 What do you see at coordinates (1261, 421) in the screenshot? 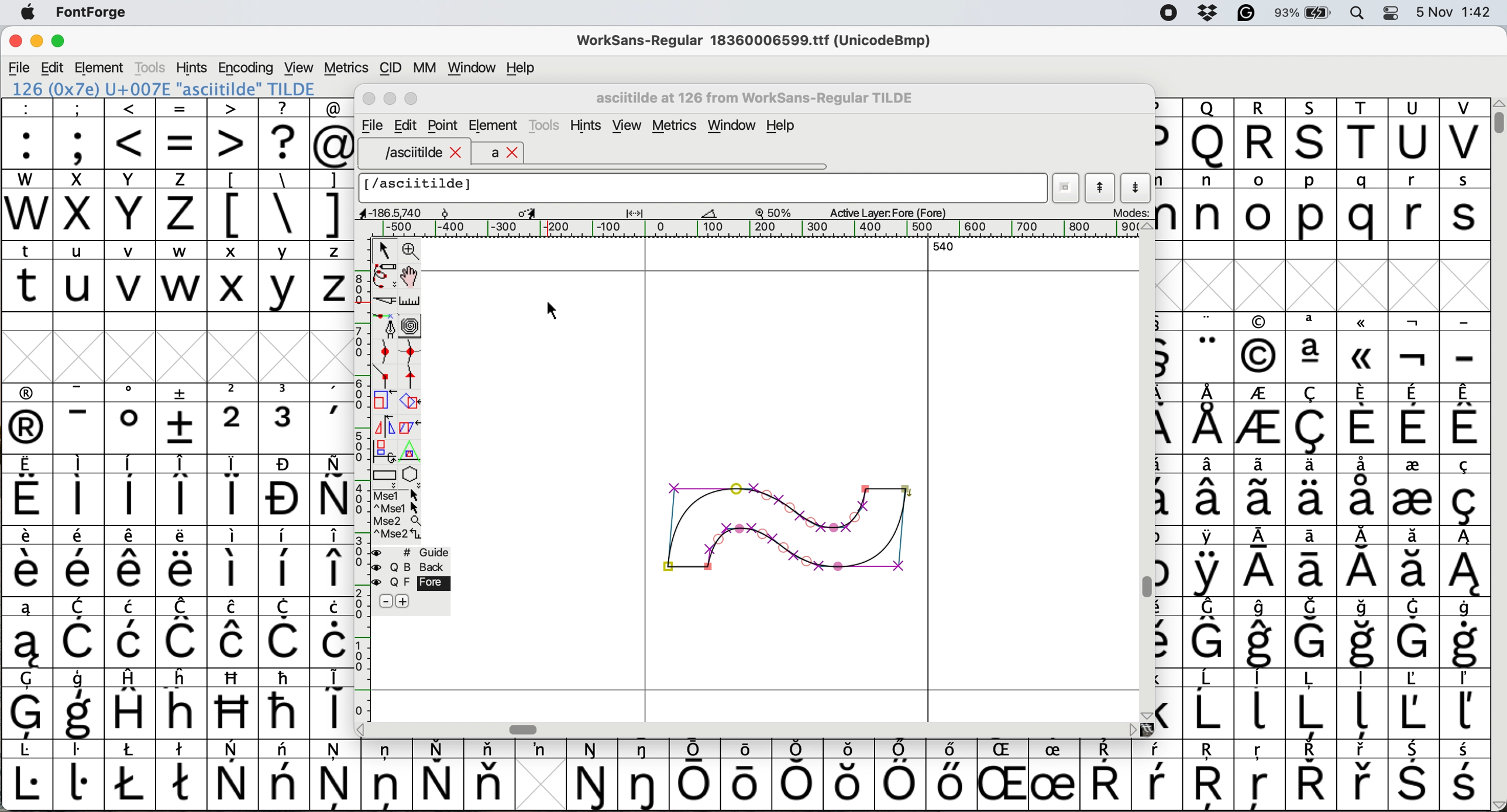
I see `symbol` at bounding box center [1261, 421].